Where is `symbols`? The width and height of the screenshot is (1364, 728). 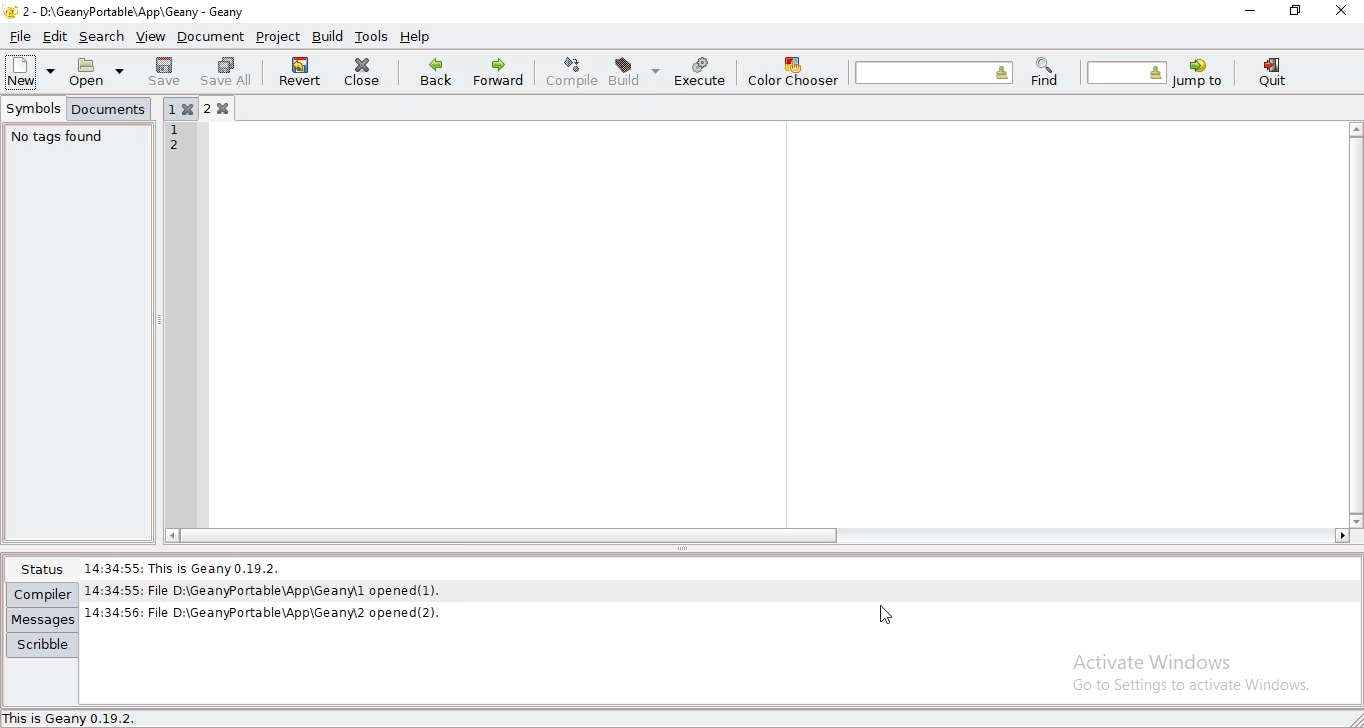 symbols is located at coordinates (35, 108).